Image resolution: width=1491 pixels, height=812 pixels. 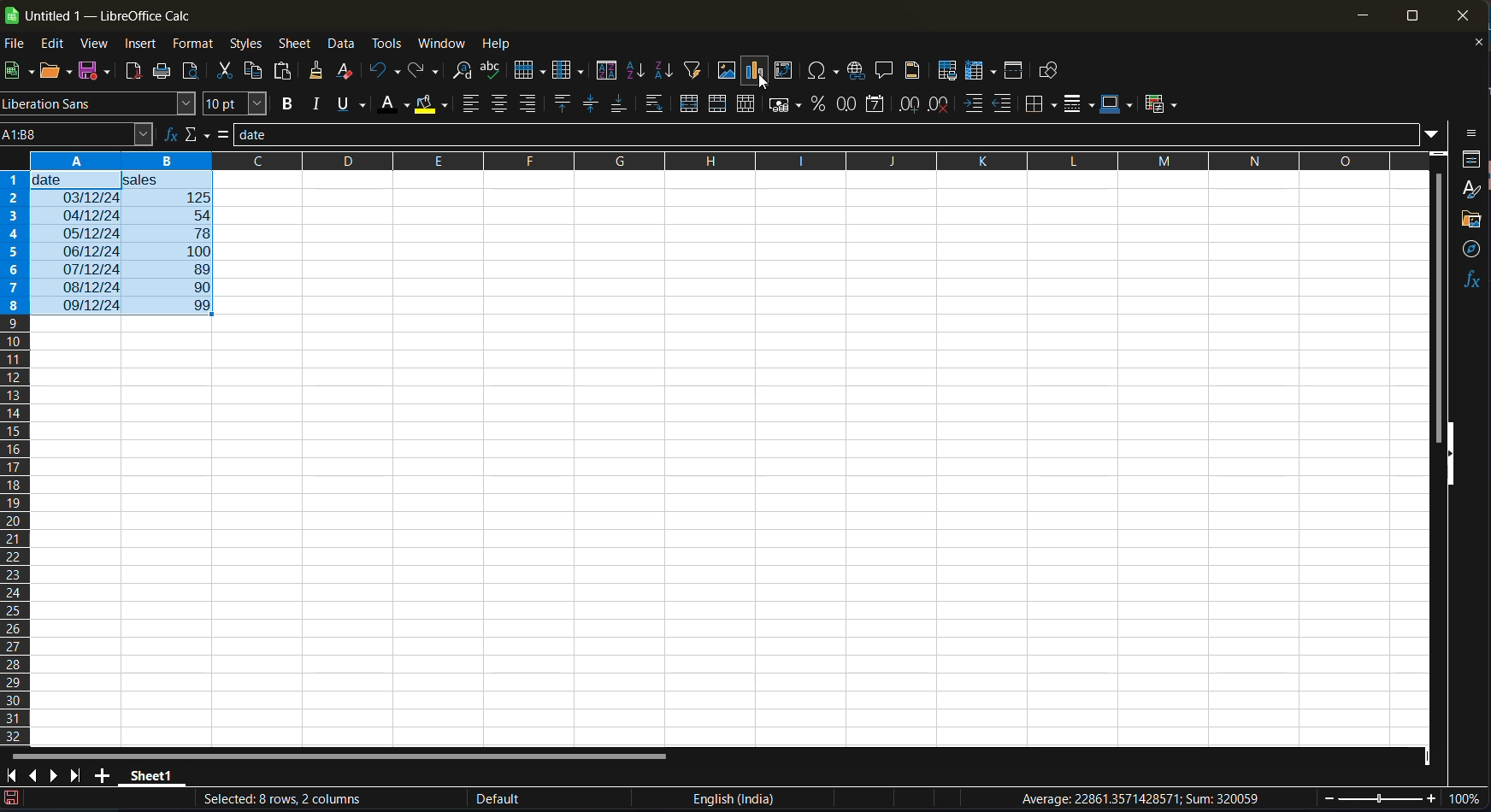 I want to click on formula, so click(x=224, y=134).